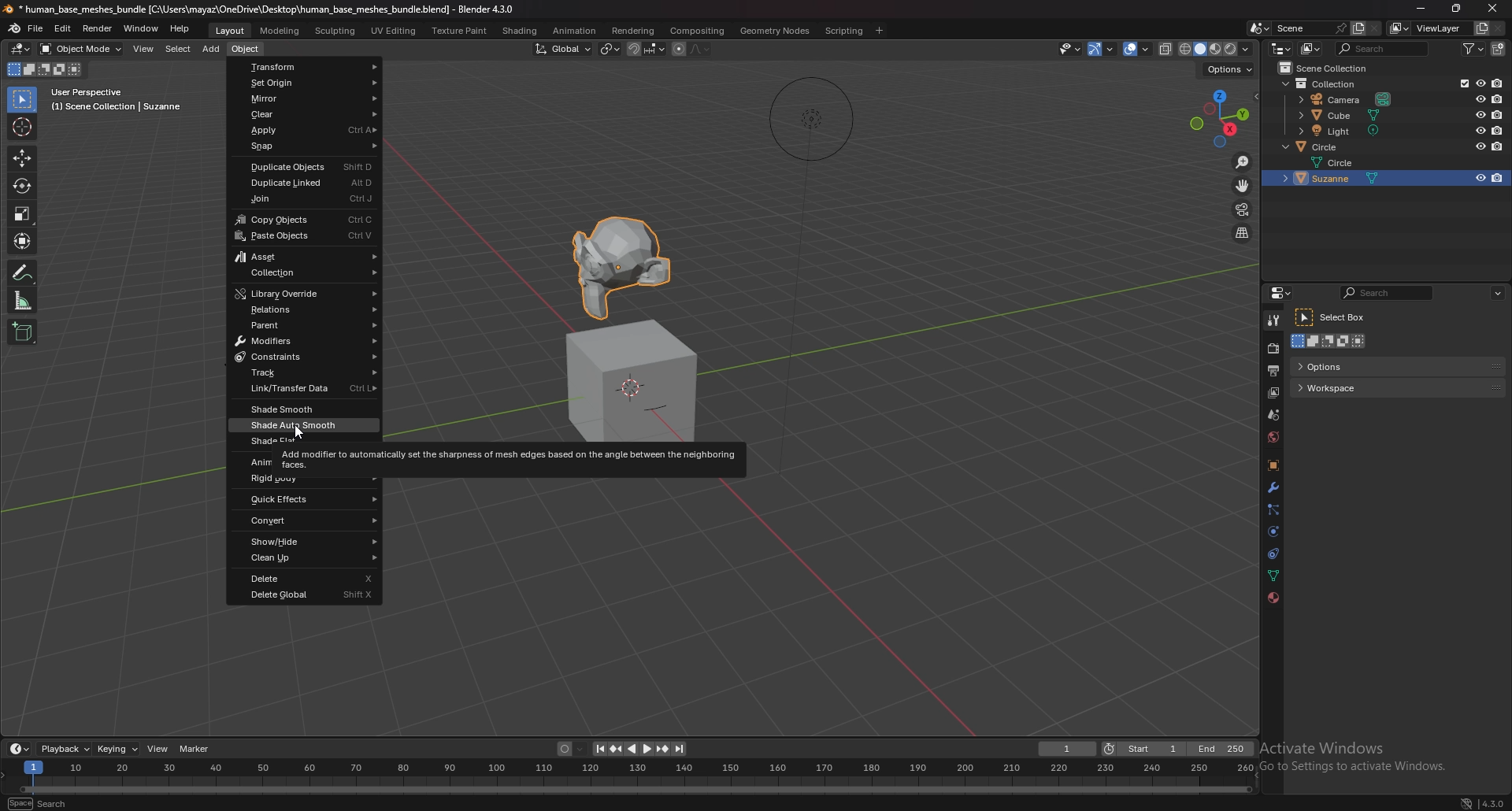 This screenshot has width=1512, height=811. What do you see at coordinates (302, 183) in the screenshot?
I see `duplicate linked` at bounding box center [302, 183].